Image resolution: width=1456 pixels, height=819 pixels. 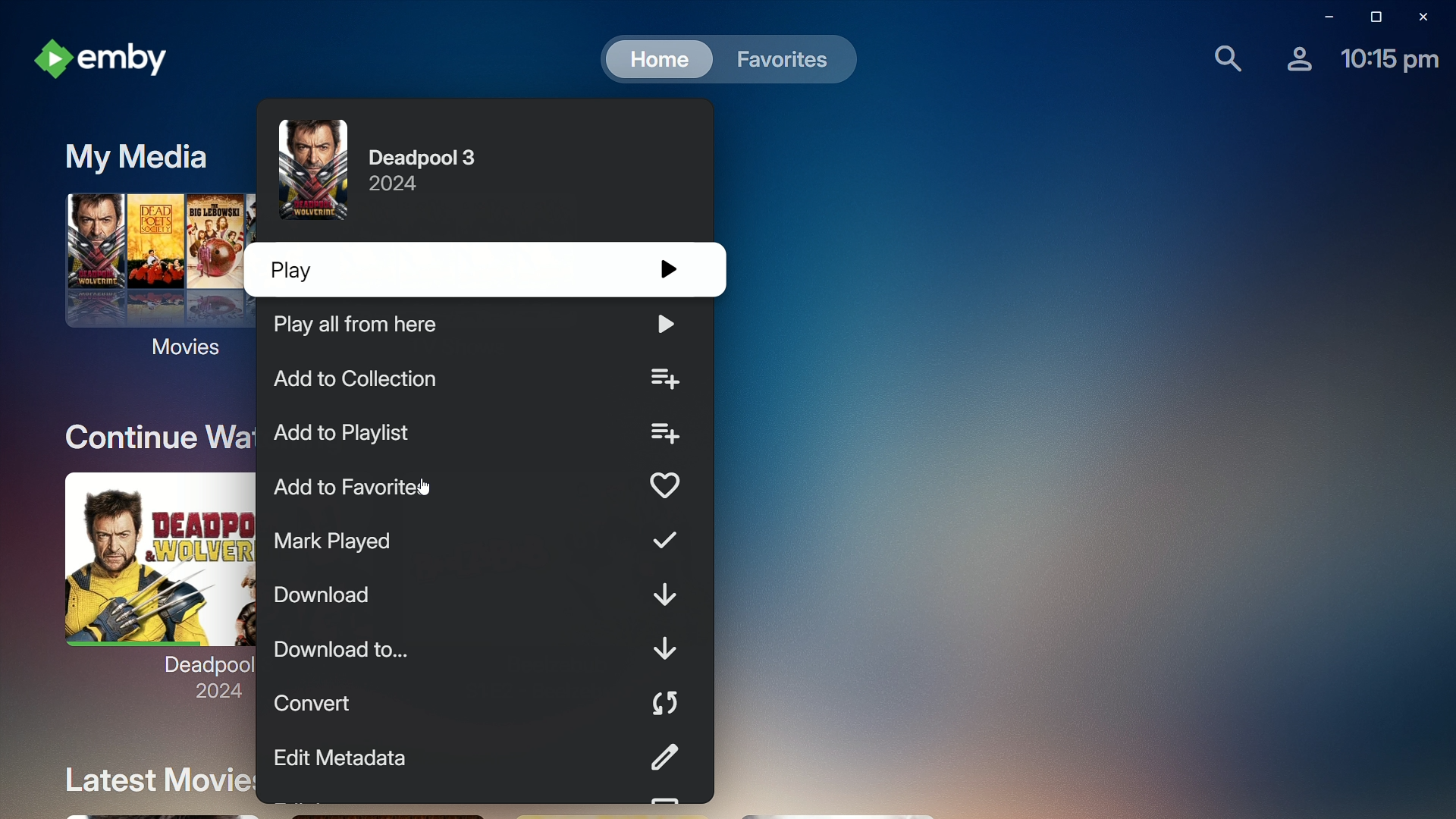 I want to click on Play all from here, so click(x=475, y=325).